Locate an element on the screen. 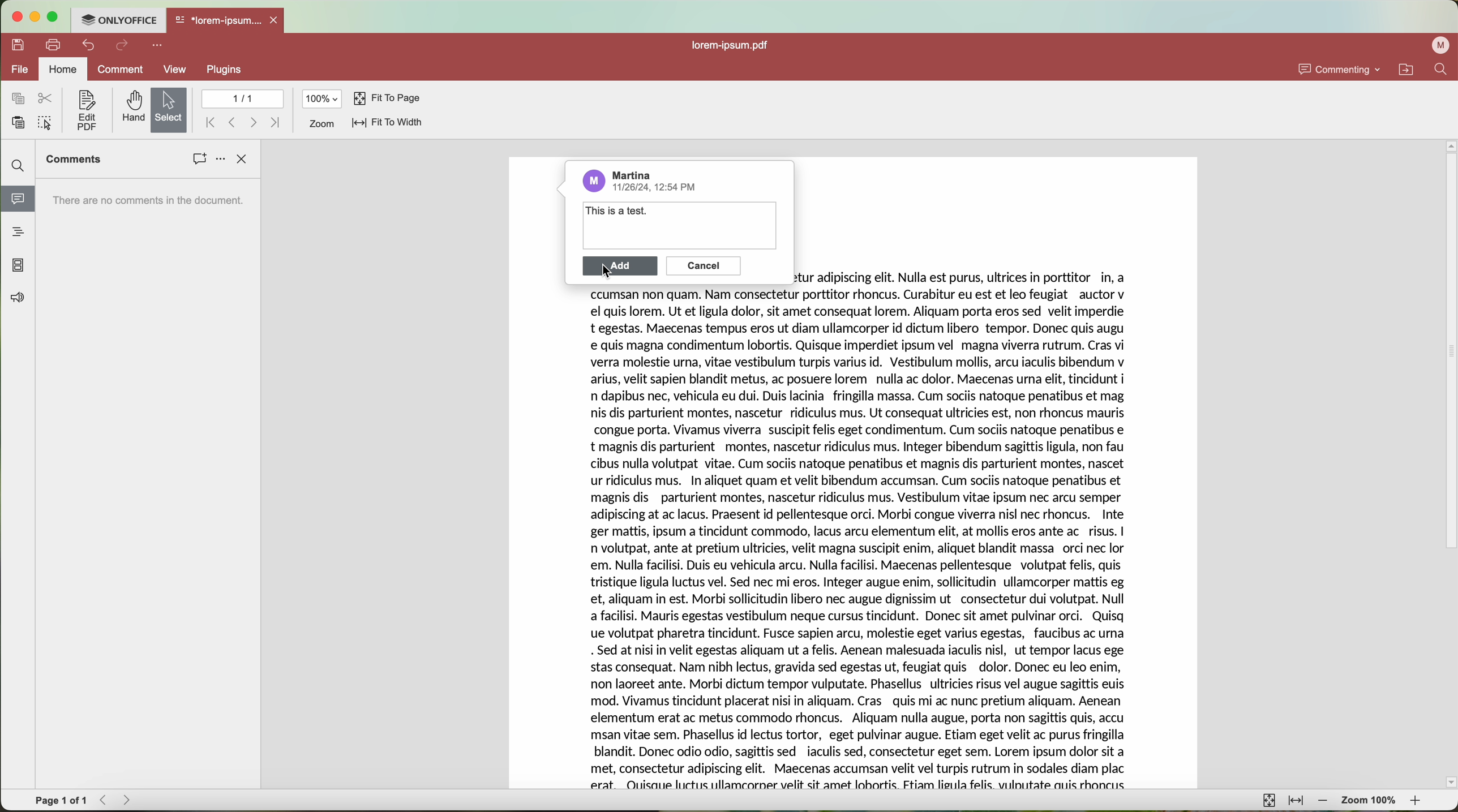 This screenshot has height=812, width=1458. fit to width is located at coordinates (387, 124).